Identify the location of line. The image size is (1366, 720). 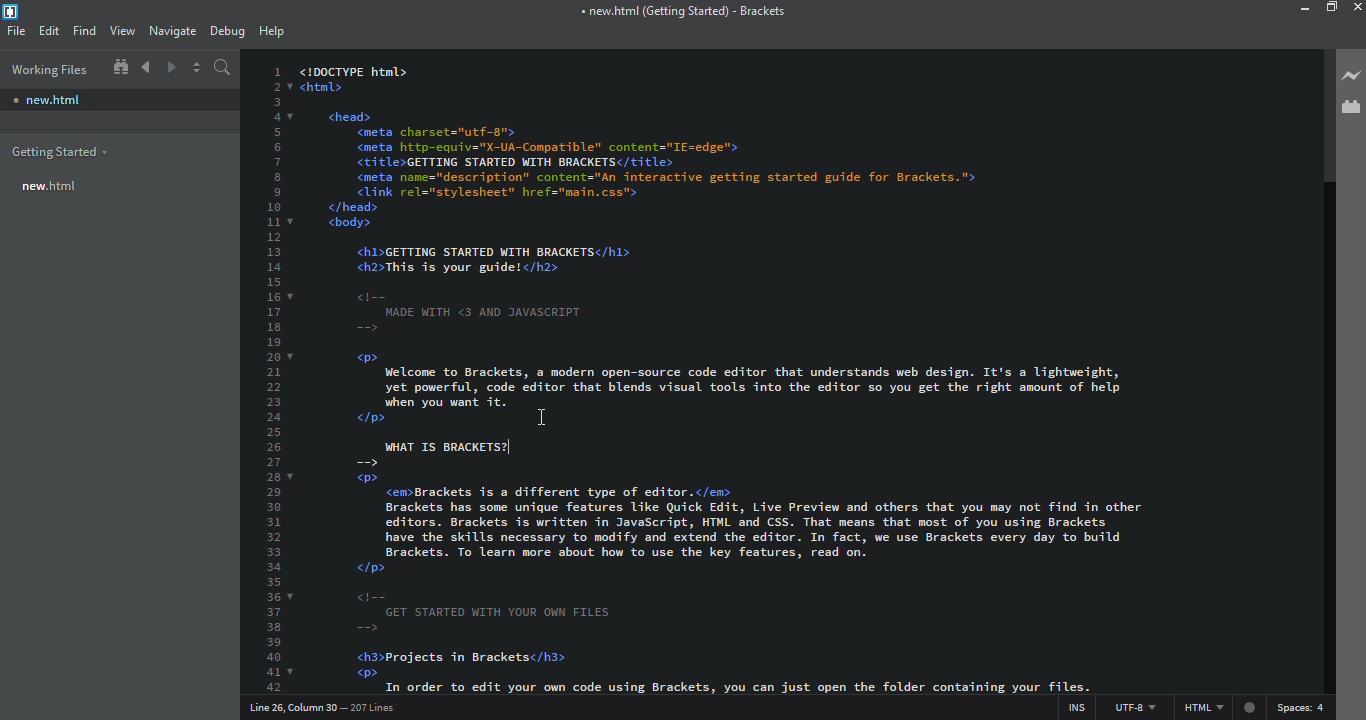
(328, 706).